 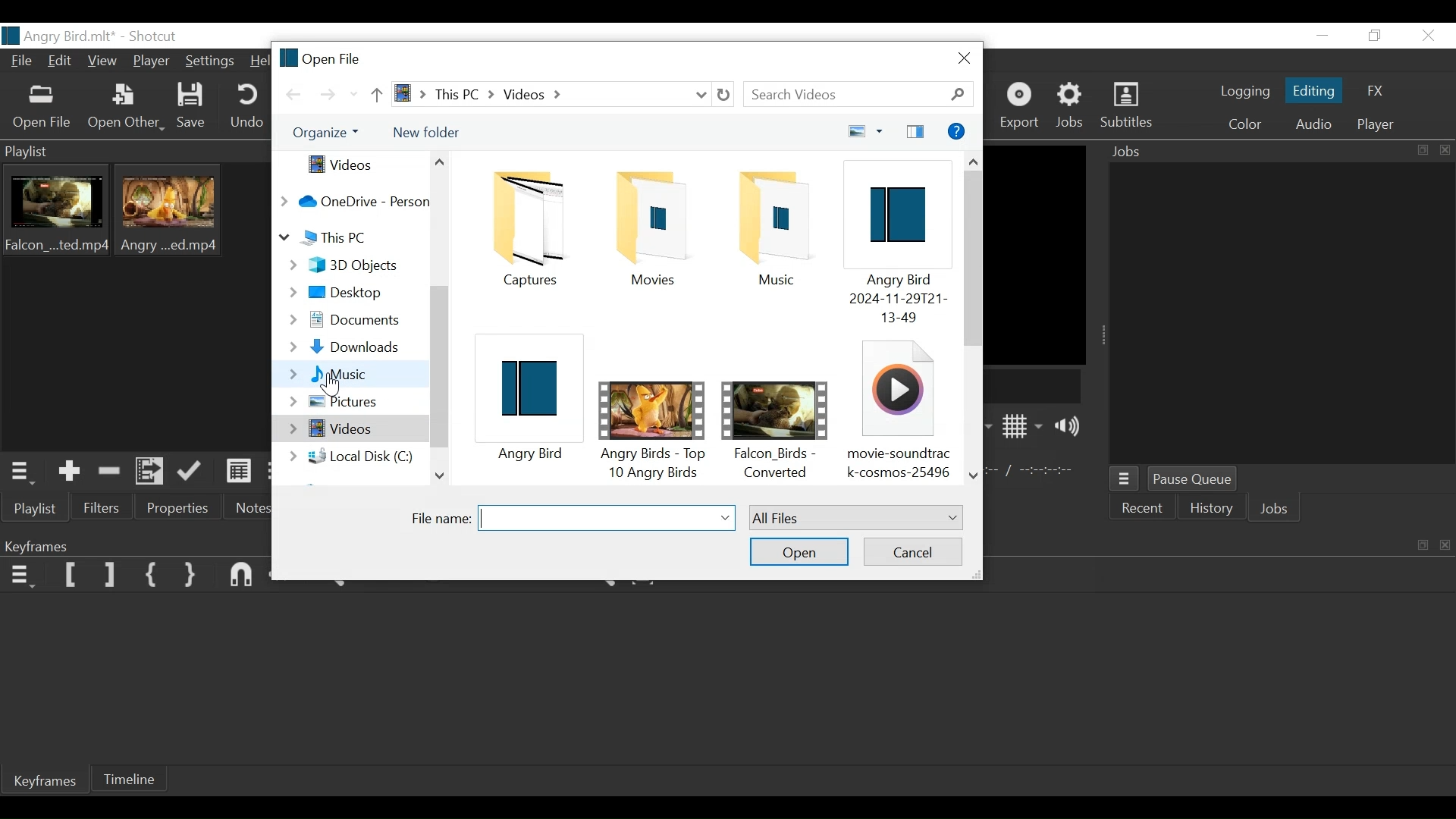 What do you see at coordinates (1073, 106) in the screenshot?
I see `Jobs ` at bounding box center [1073, 106].